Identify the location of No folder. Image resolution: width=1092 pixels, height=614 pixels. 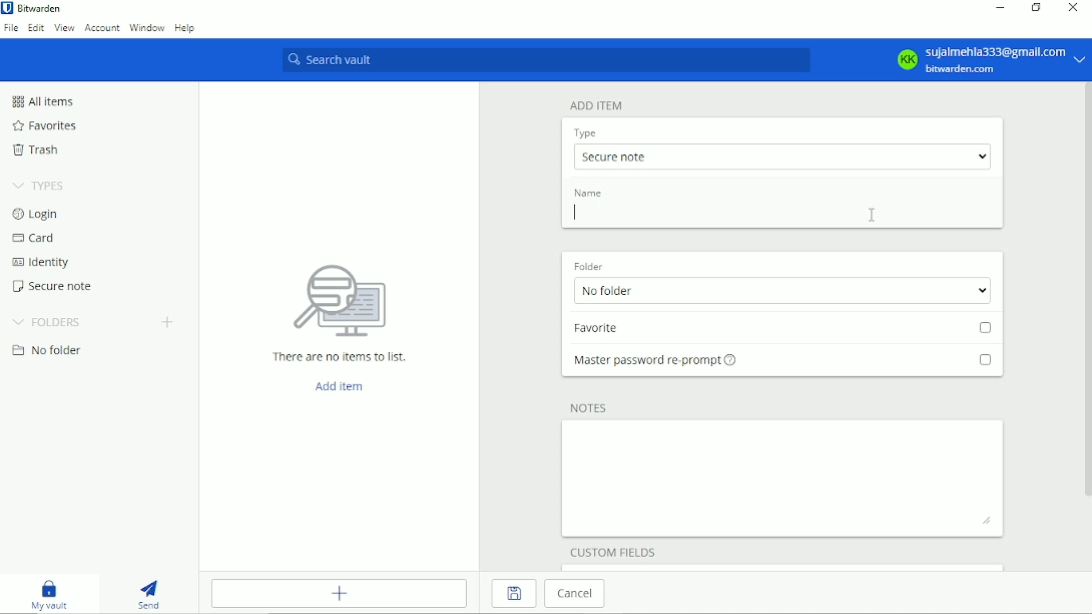
(779, 291).